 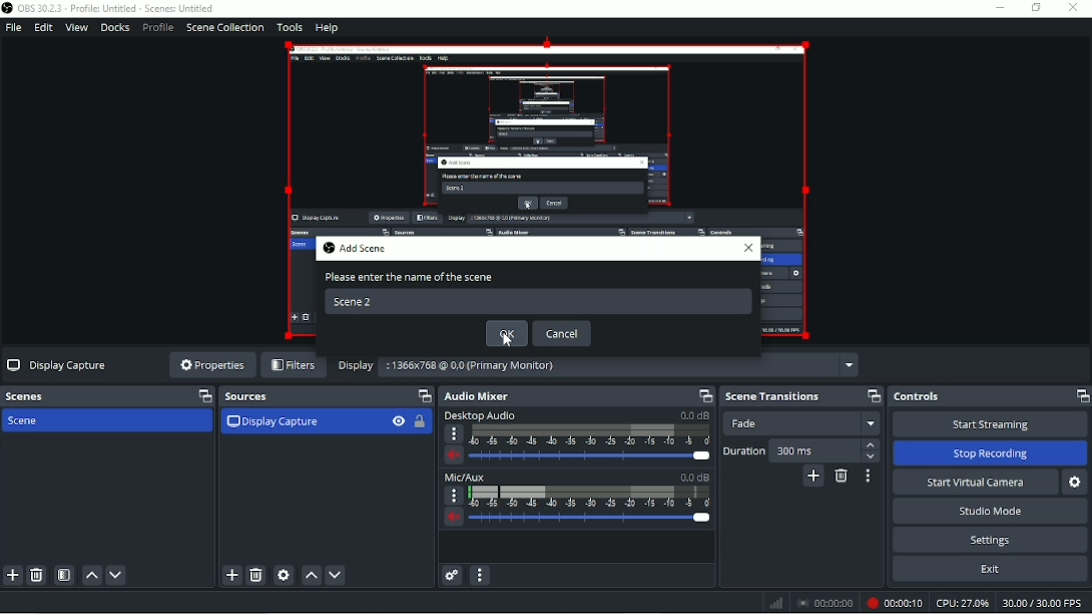 I want to click on Desktop Audio, so click(x=479, y=417).